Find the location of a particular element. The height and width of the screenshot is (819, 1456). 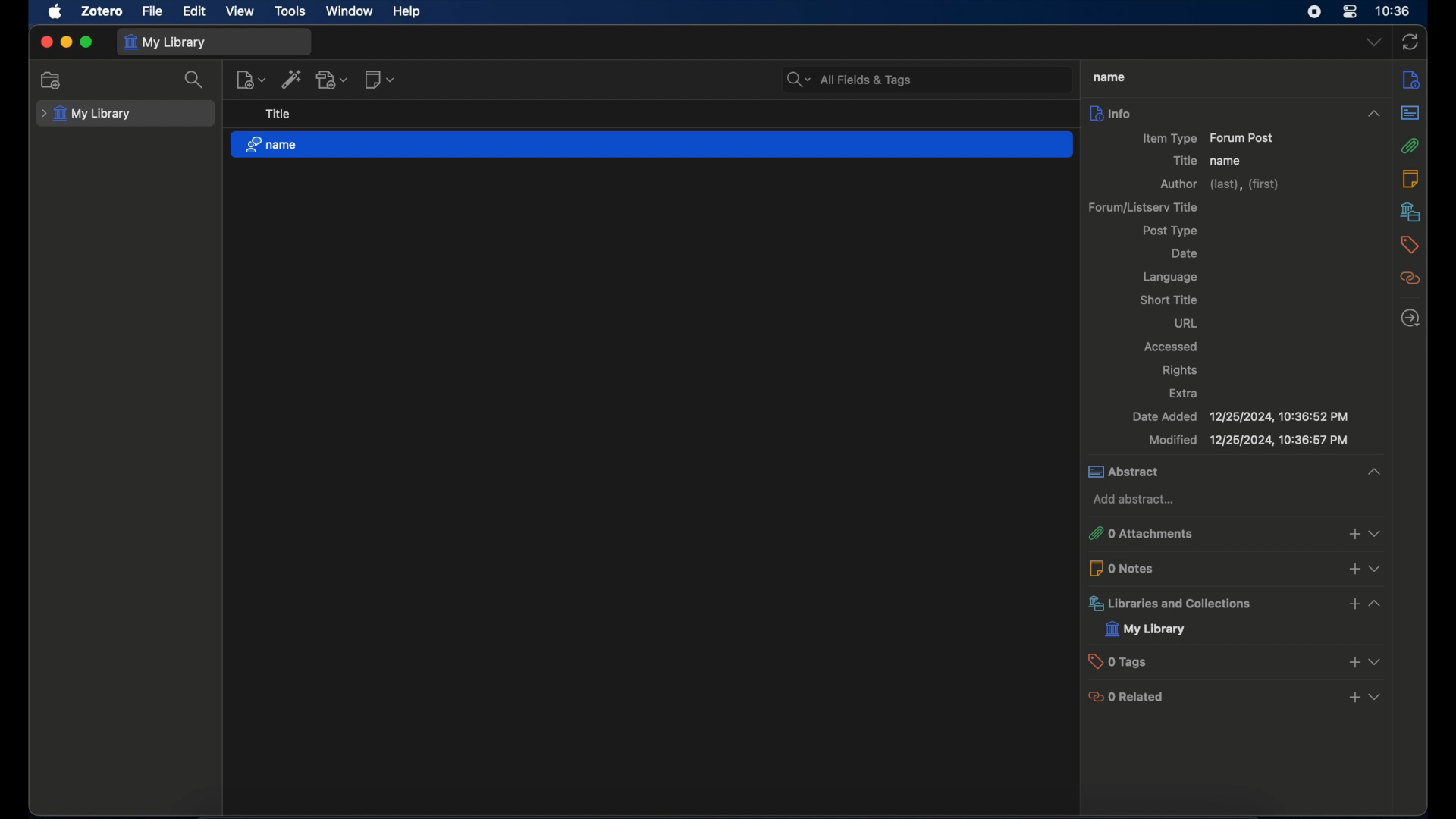

author is located at coordinates (1219, 185).